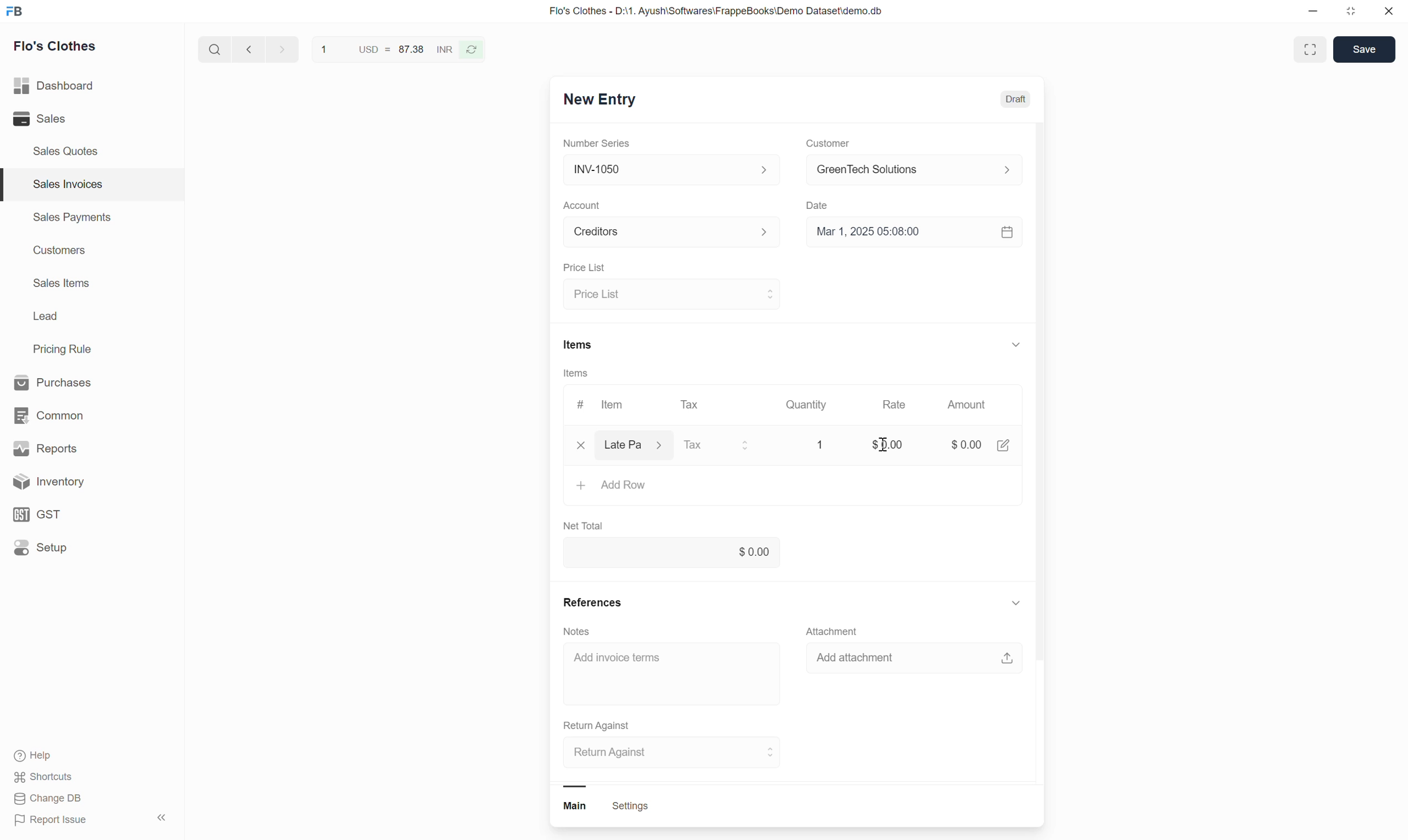 This screenshot has height=840, width=1408. What do you see at coordinates (1015, 100) in the screenshot?
I see `Draft` at bounding box center [1015, 100].